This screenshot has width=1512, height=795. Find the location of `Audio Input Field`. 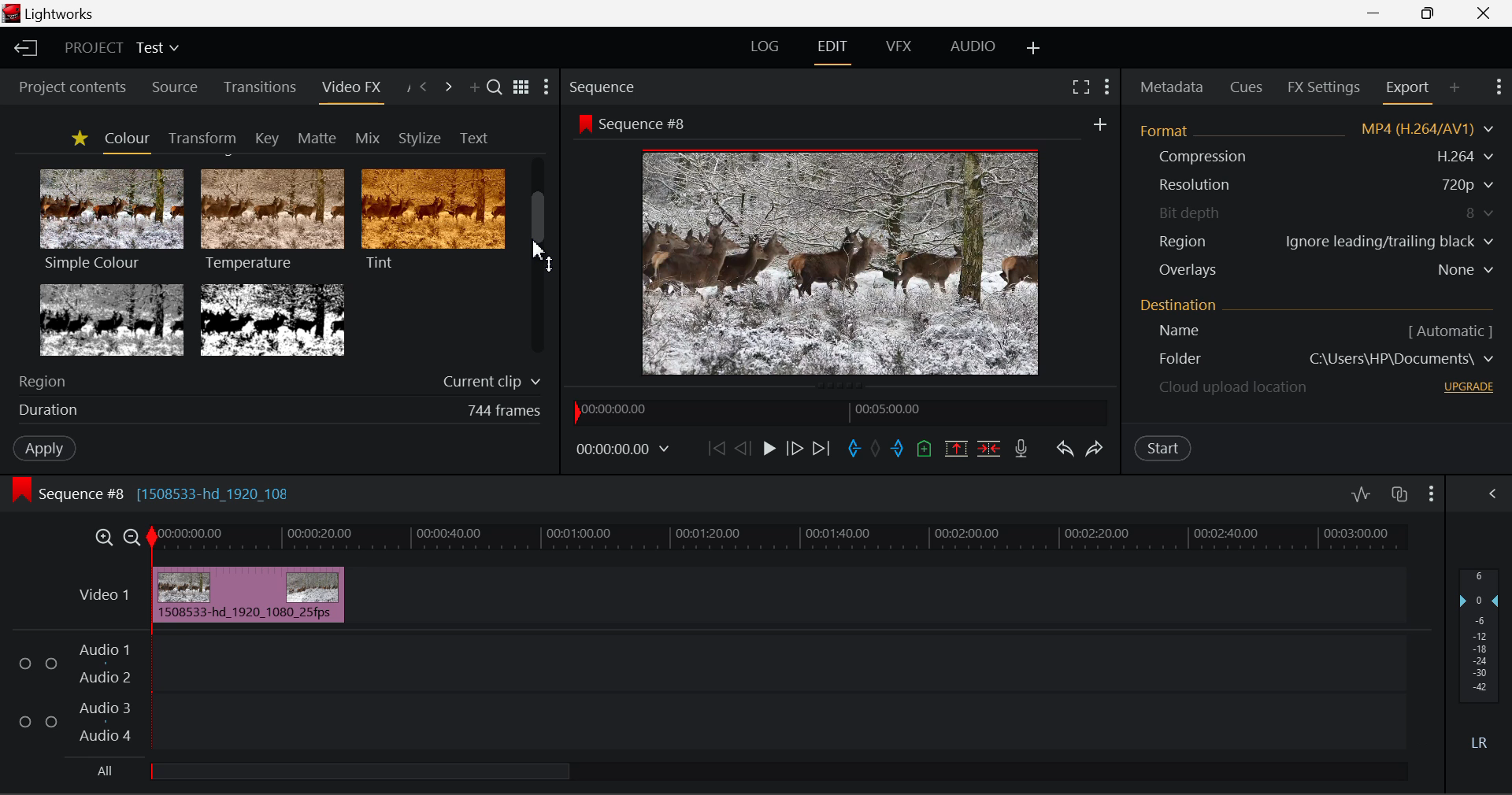

Audio Input Field is located at coordinates (774, 691).